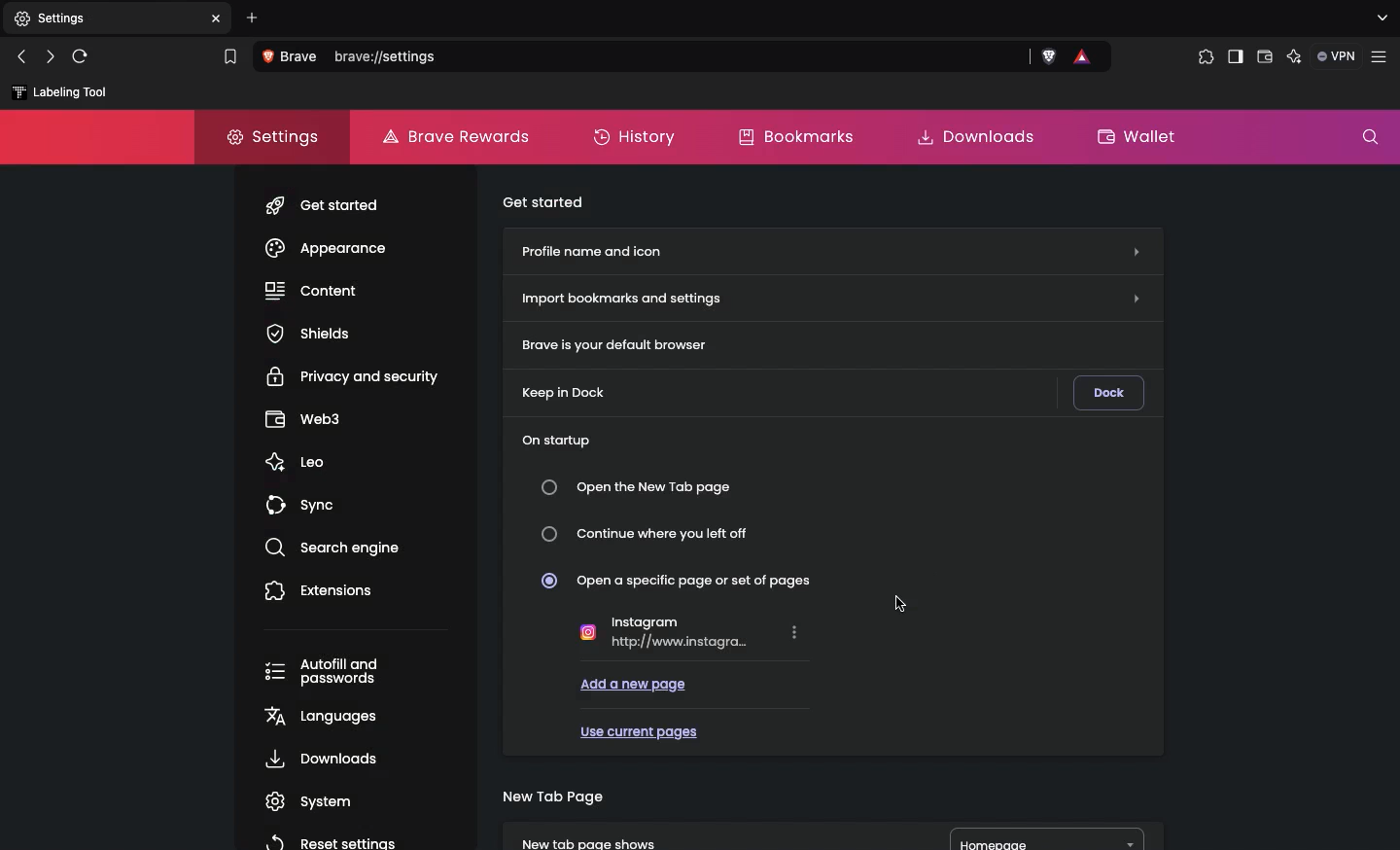 The width and height of the screenshot is (1400, 850). I want to click on brave://settings, so click(682, 58).